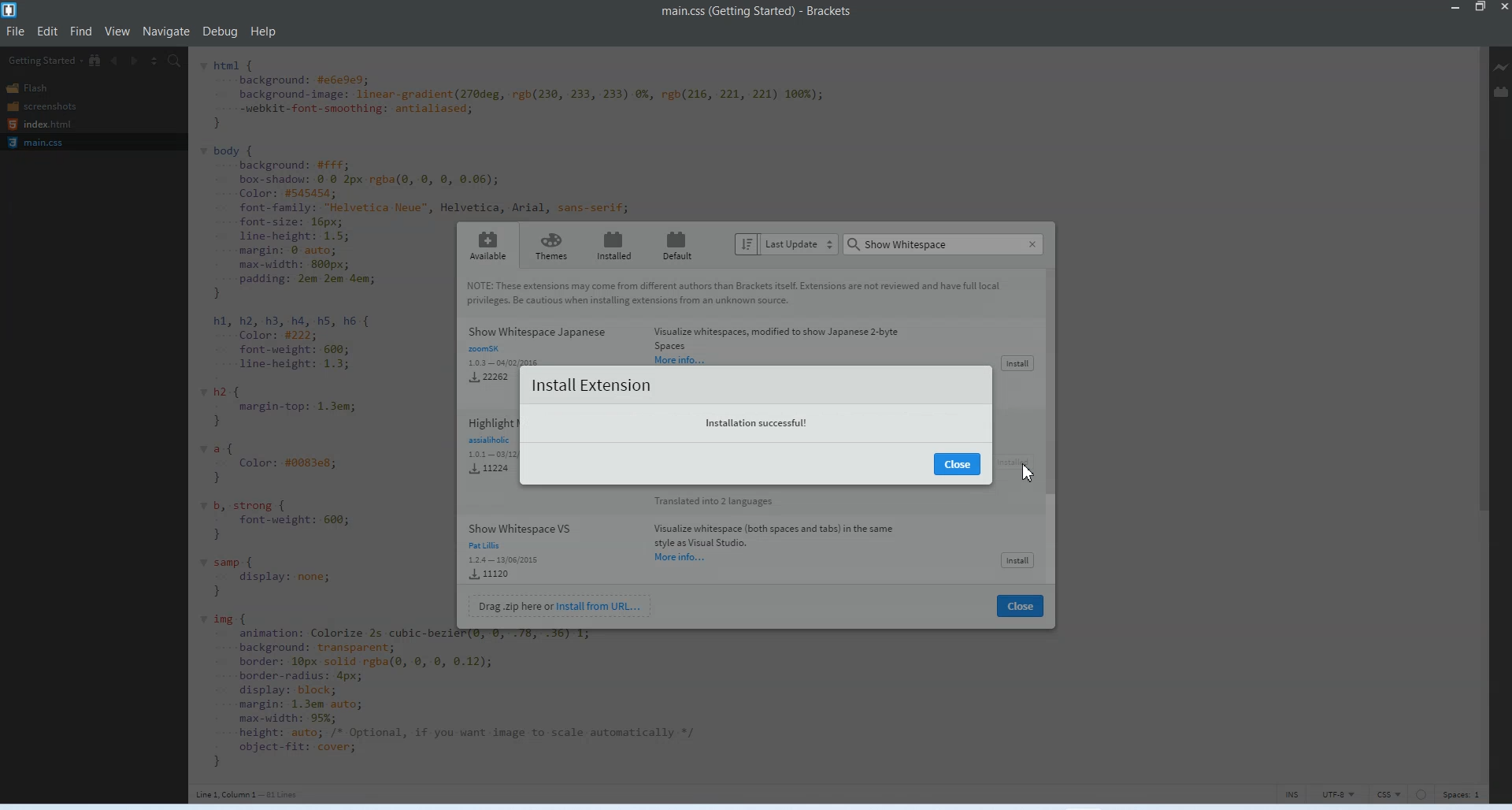 The image size is (1512, 810). What do you see at coordinates (49, 31) in the screenshot?
I see `Edit` at bounding box center [49, 31].